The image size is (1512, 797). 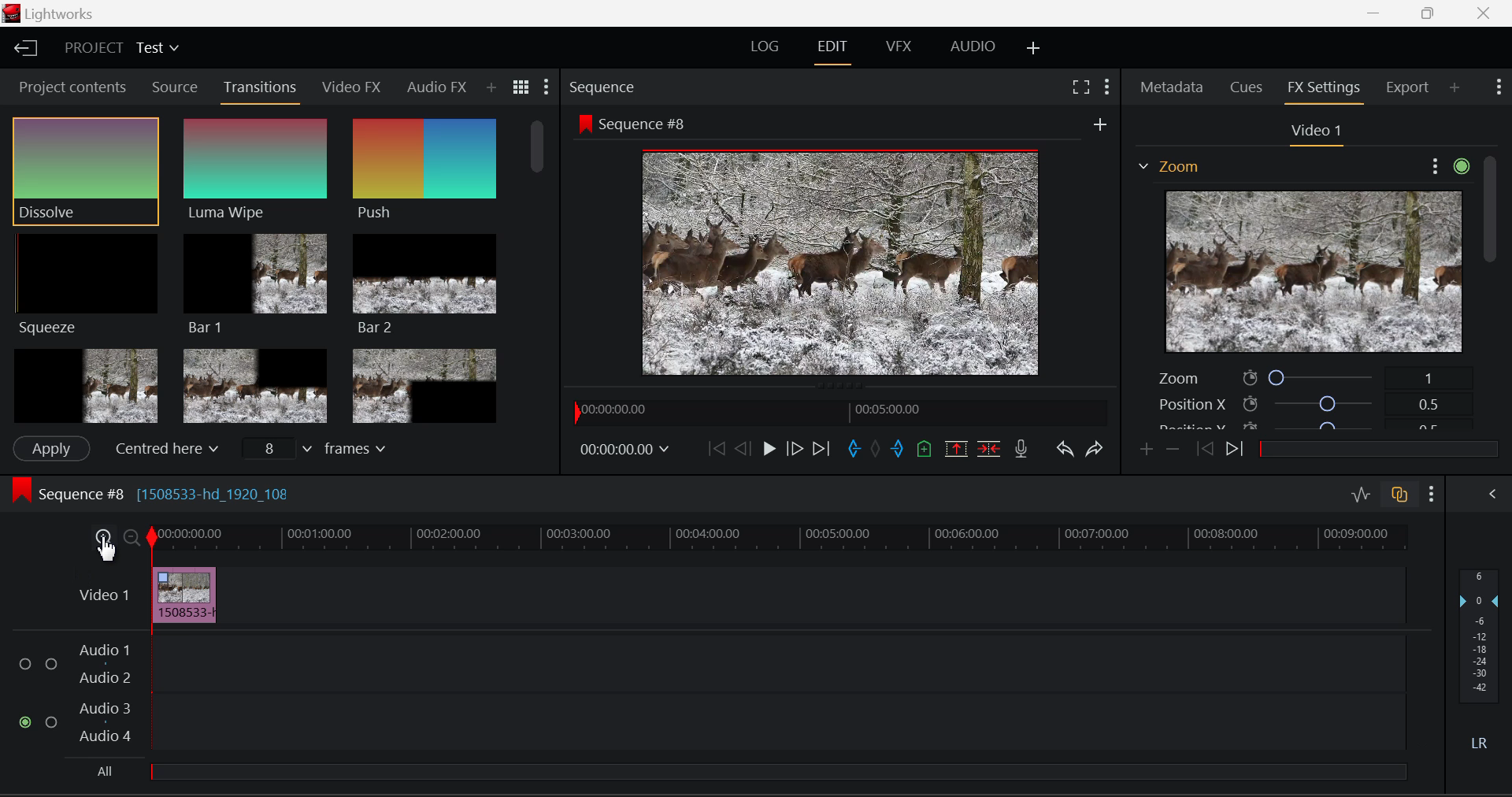 I want to click on Back to Homepage, so click(x=23, y=46).